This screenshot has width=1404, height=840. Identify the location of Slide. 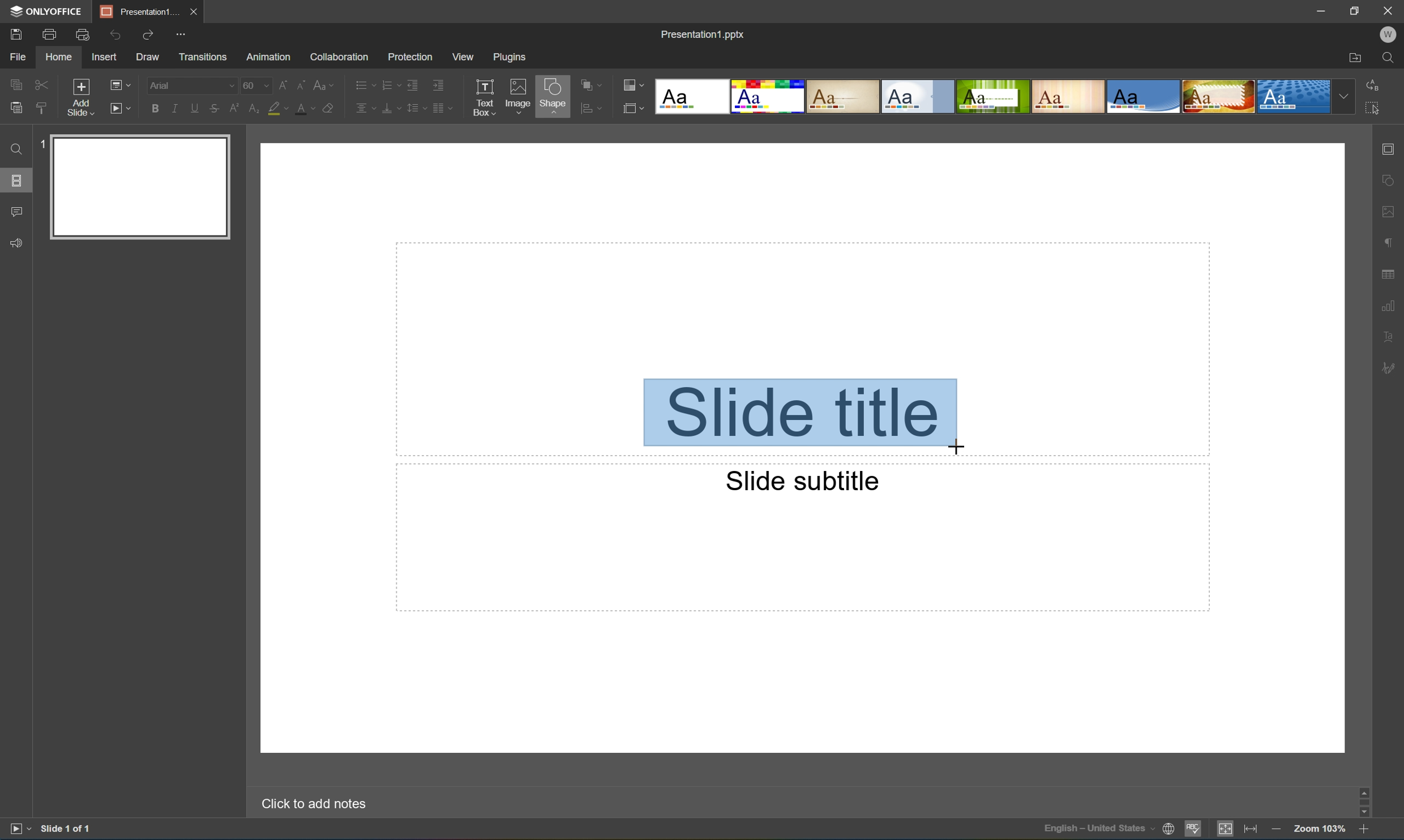
(142, 186).